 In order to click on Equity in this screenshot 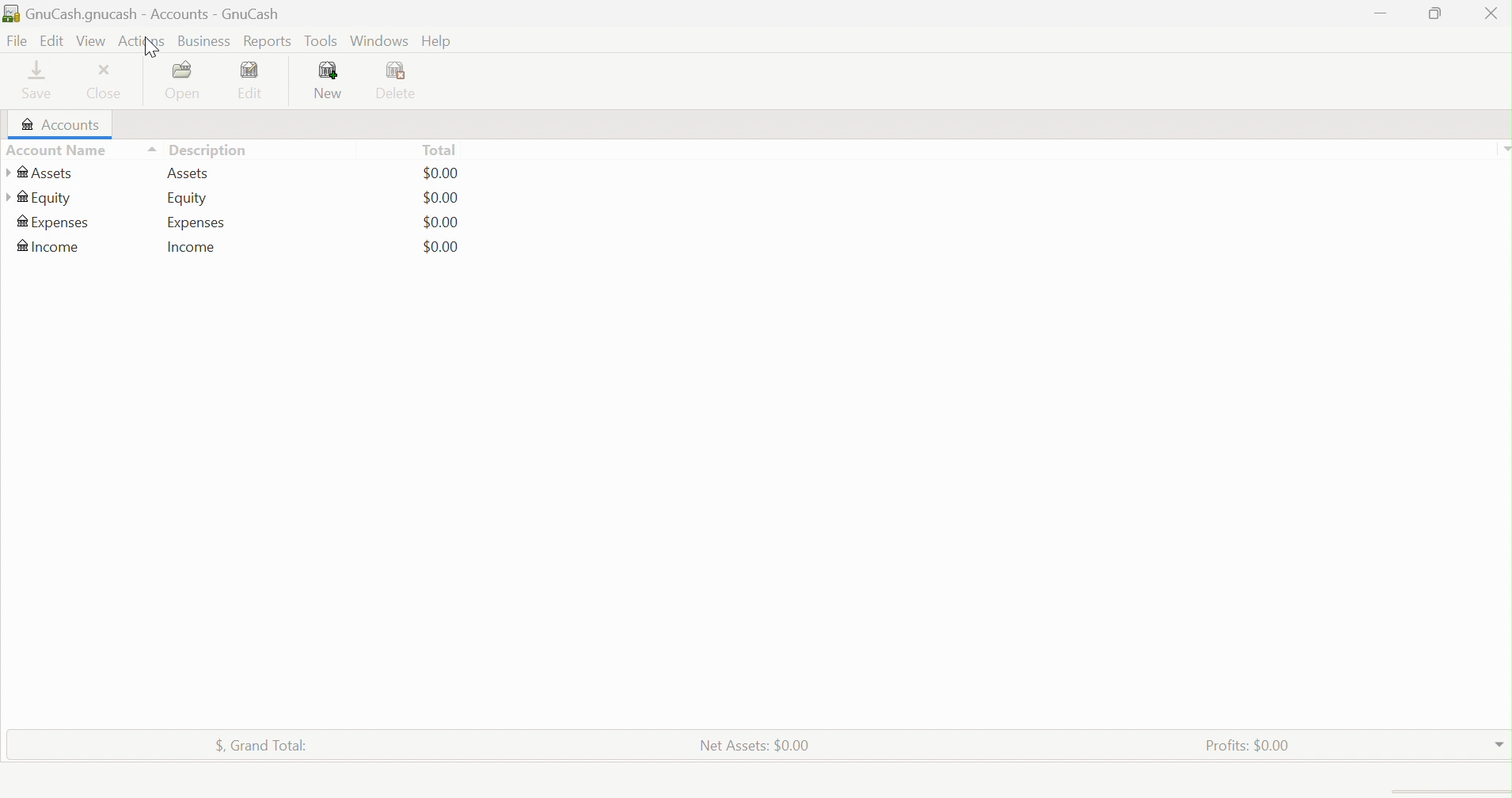, I will do `click(40, 197)`.